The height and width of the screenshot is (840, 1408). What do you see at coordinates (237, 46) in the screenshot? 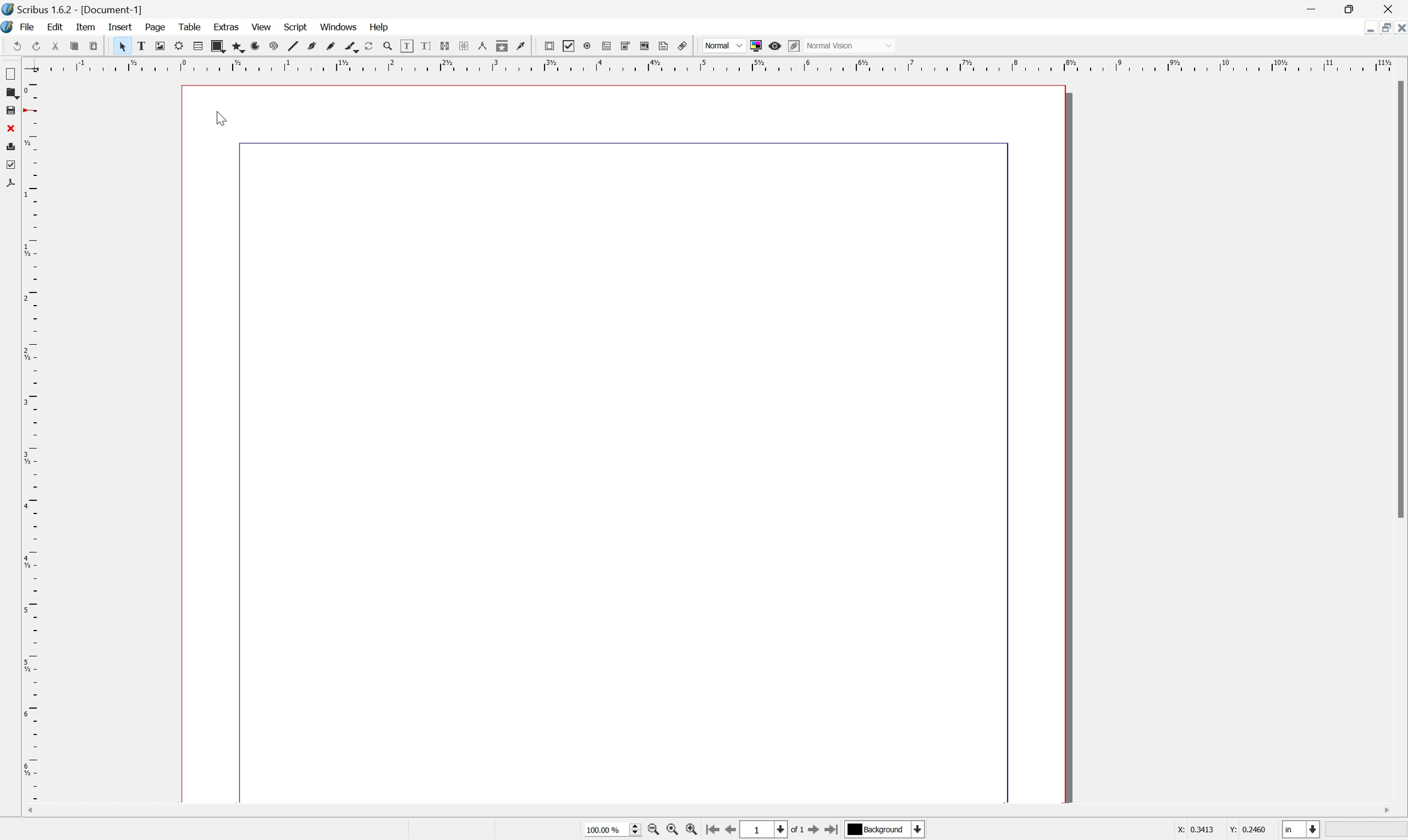
I see `preflight verifier` at bounding box center [237, 46].